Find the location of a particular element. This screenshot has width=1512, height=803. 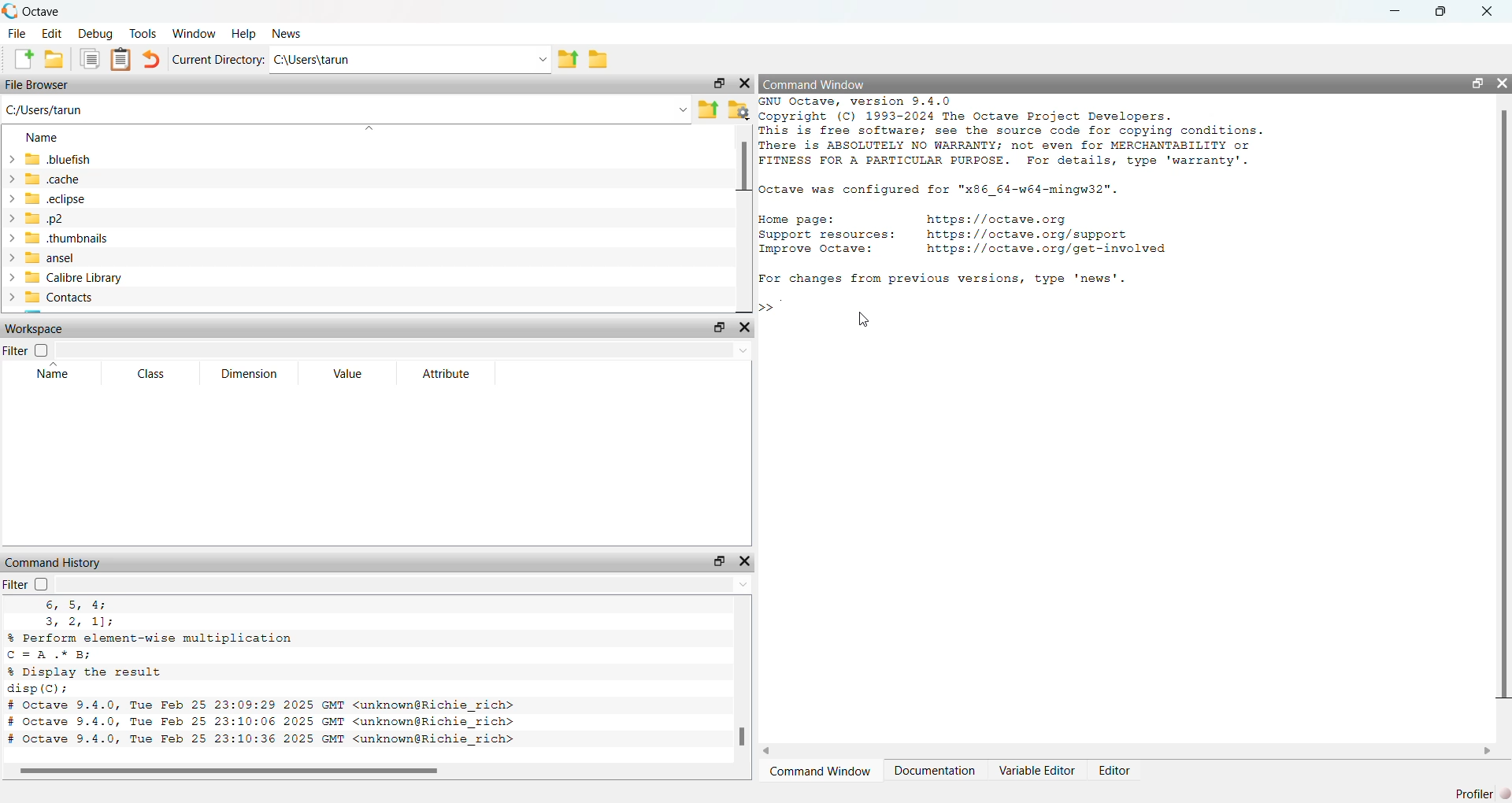

Contacts is located at coordinates (52, 298).